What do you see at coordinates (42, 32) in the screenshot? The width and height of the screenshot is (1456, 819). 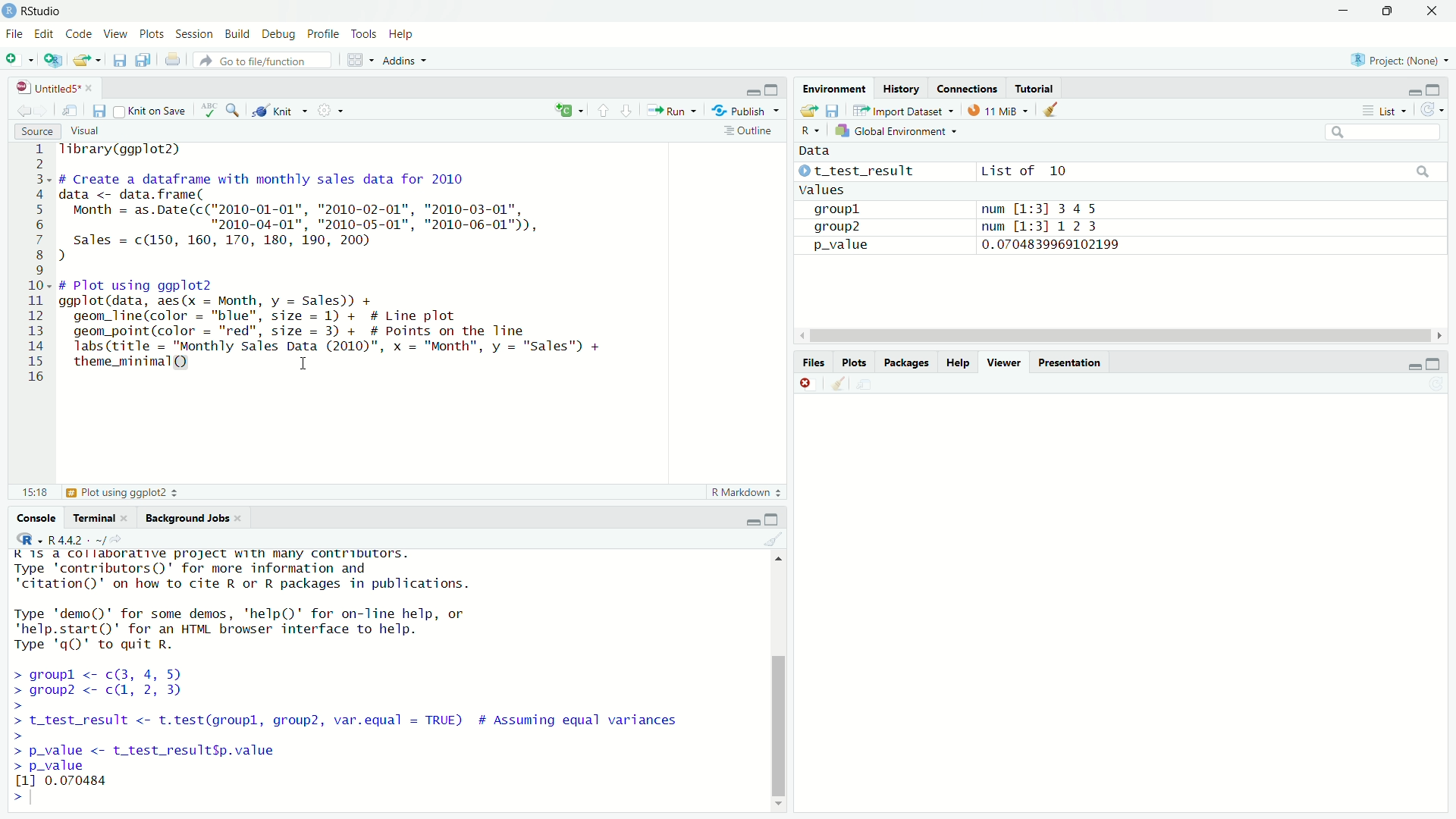 I see `Edit` at bounding box center [42, 32].